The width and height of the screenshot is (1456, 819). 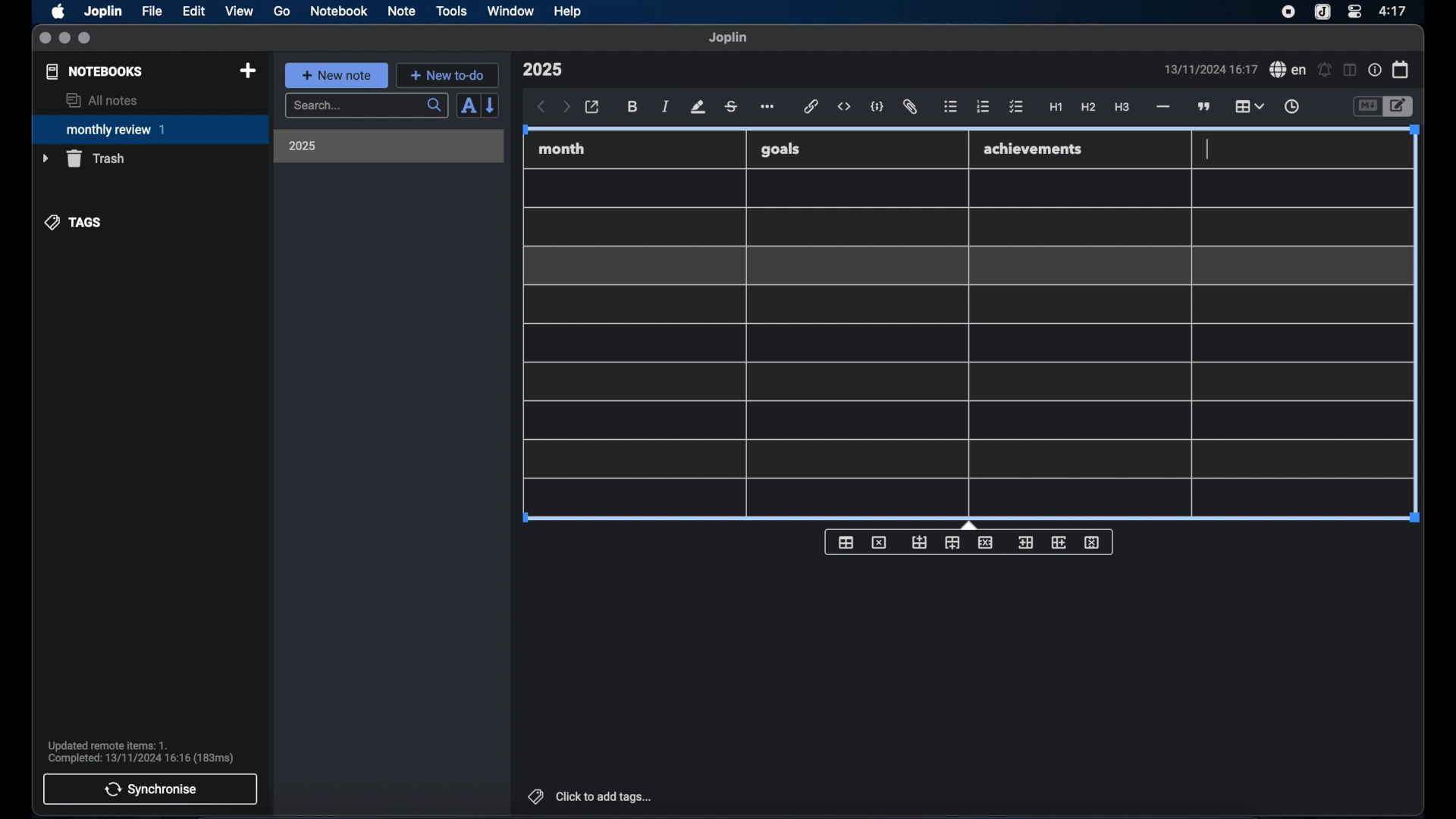 What do you see at coordinates (1025, 543) in the screenshot?
I see `insert column before` at bounding box center [1025, 543].